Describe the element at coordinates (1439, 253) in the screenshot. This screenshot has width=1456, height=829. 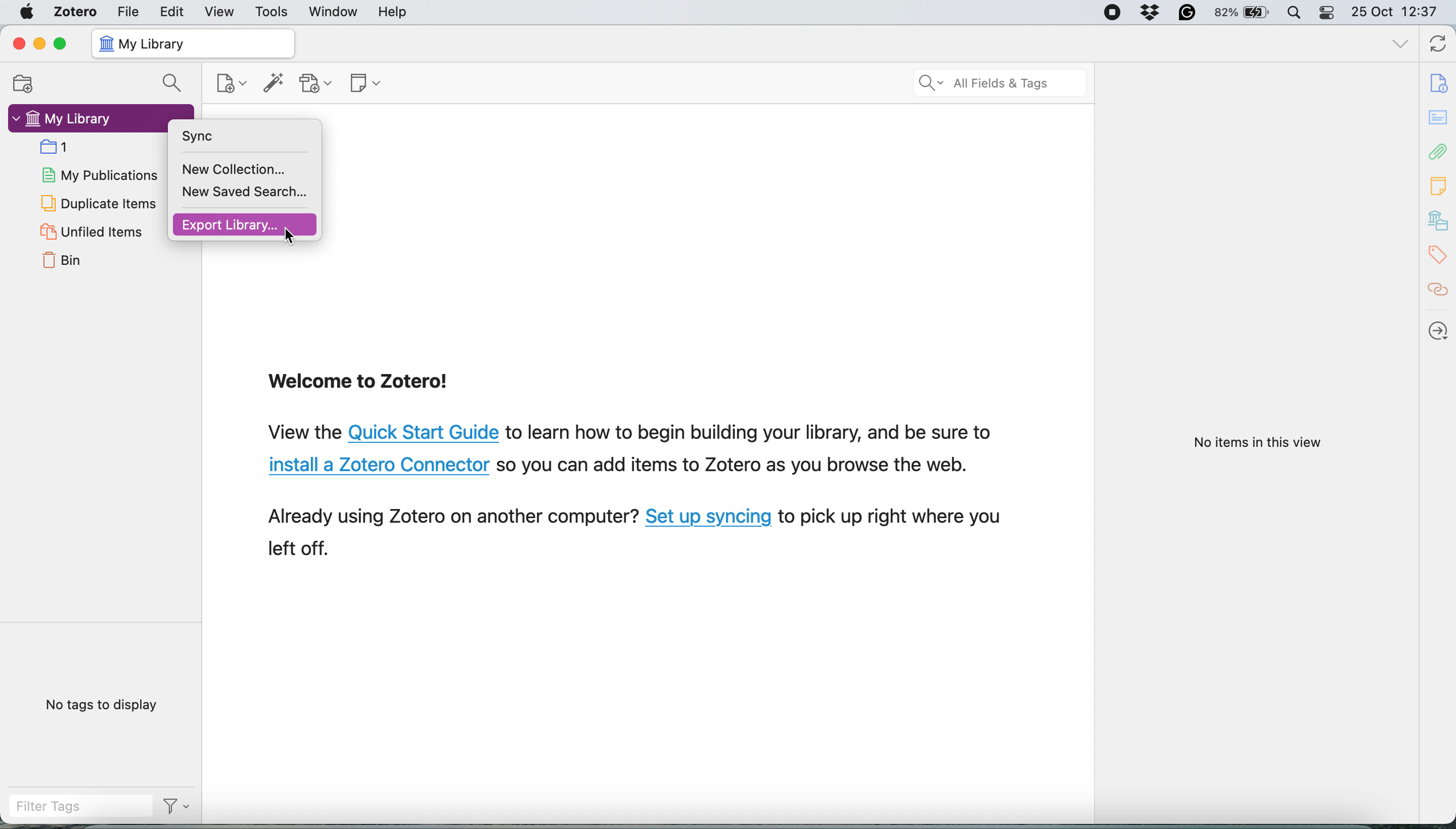
I see `tags` at that location.